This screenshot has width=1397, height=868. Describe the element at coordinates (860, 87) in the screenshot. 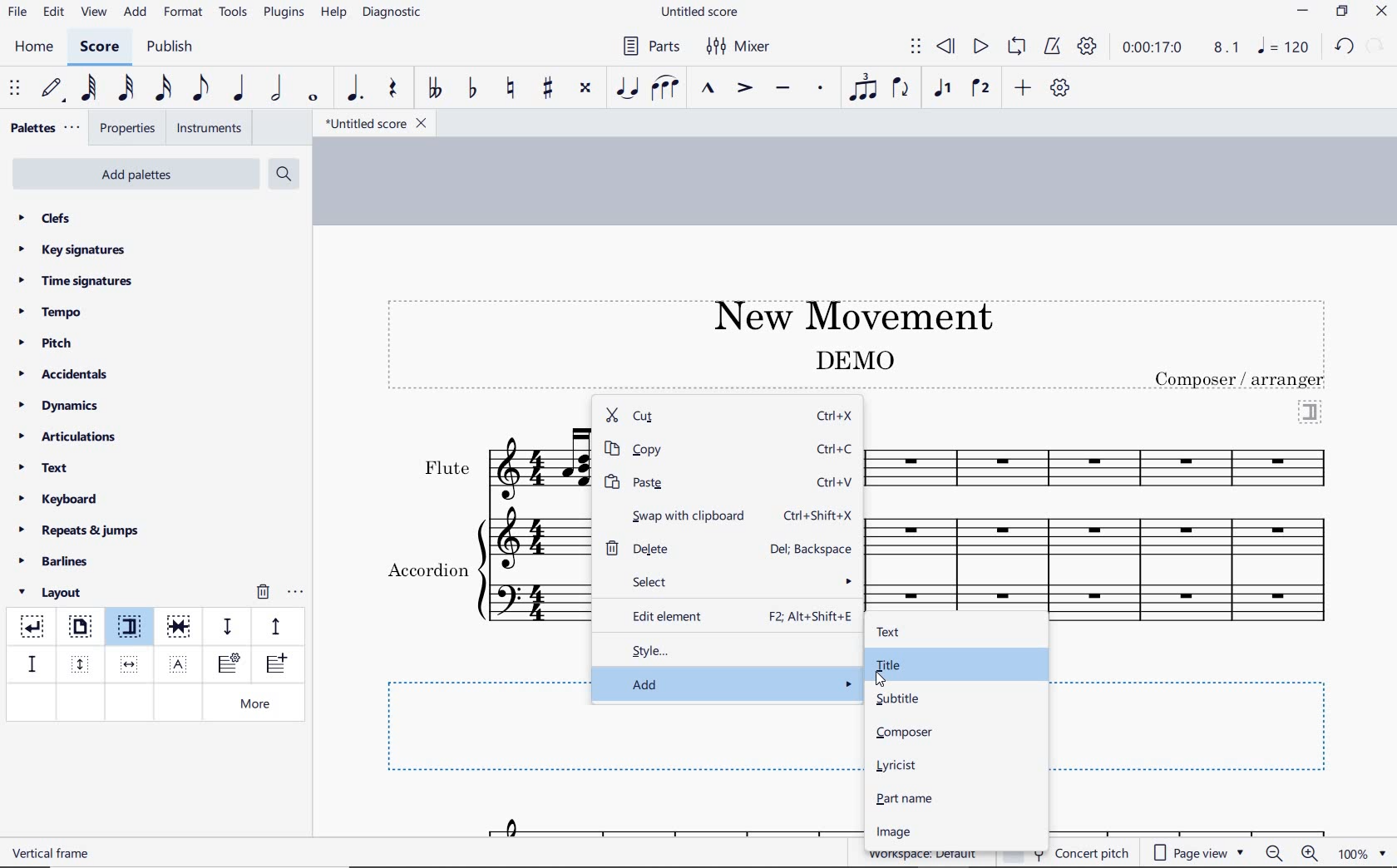

I see `tuplet` at that location.